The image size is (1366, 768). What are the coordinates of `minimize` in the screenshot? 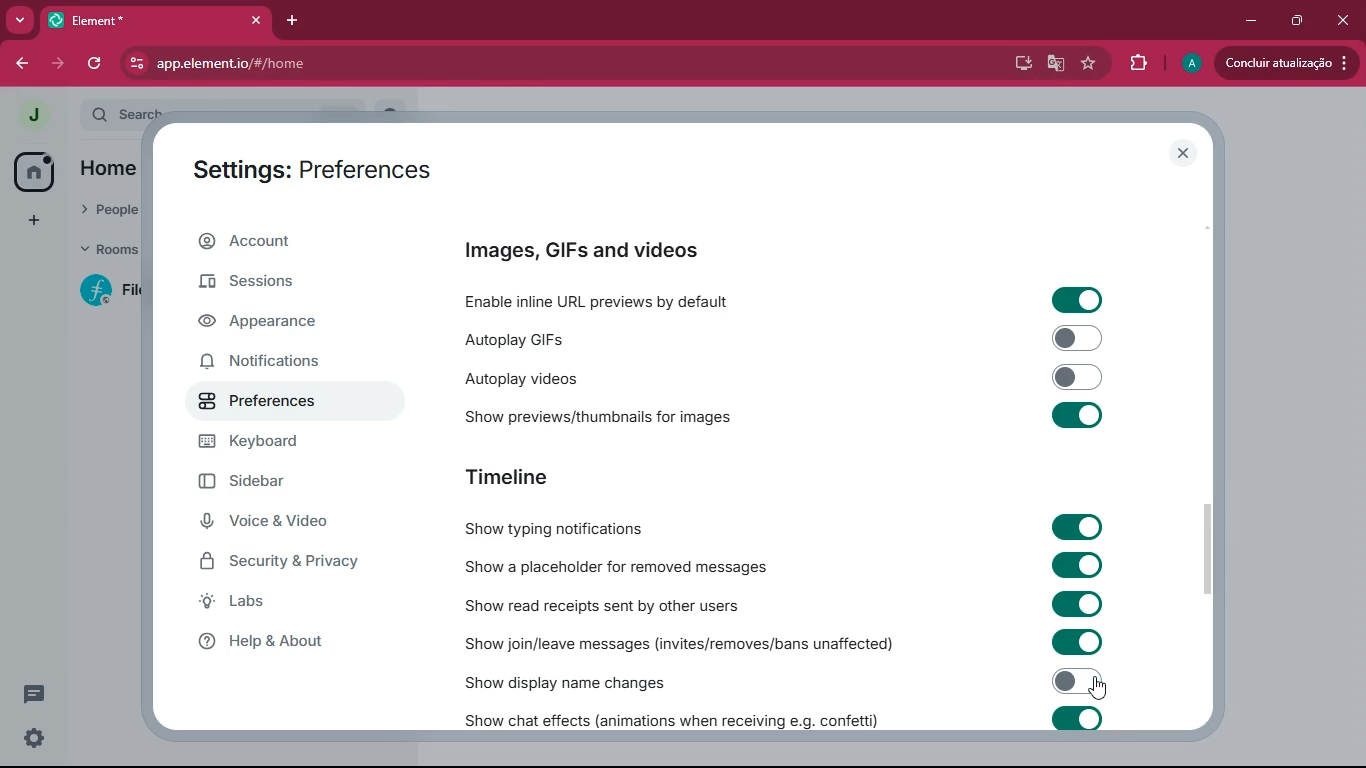 It's located at (1248, 22).